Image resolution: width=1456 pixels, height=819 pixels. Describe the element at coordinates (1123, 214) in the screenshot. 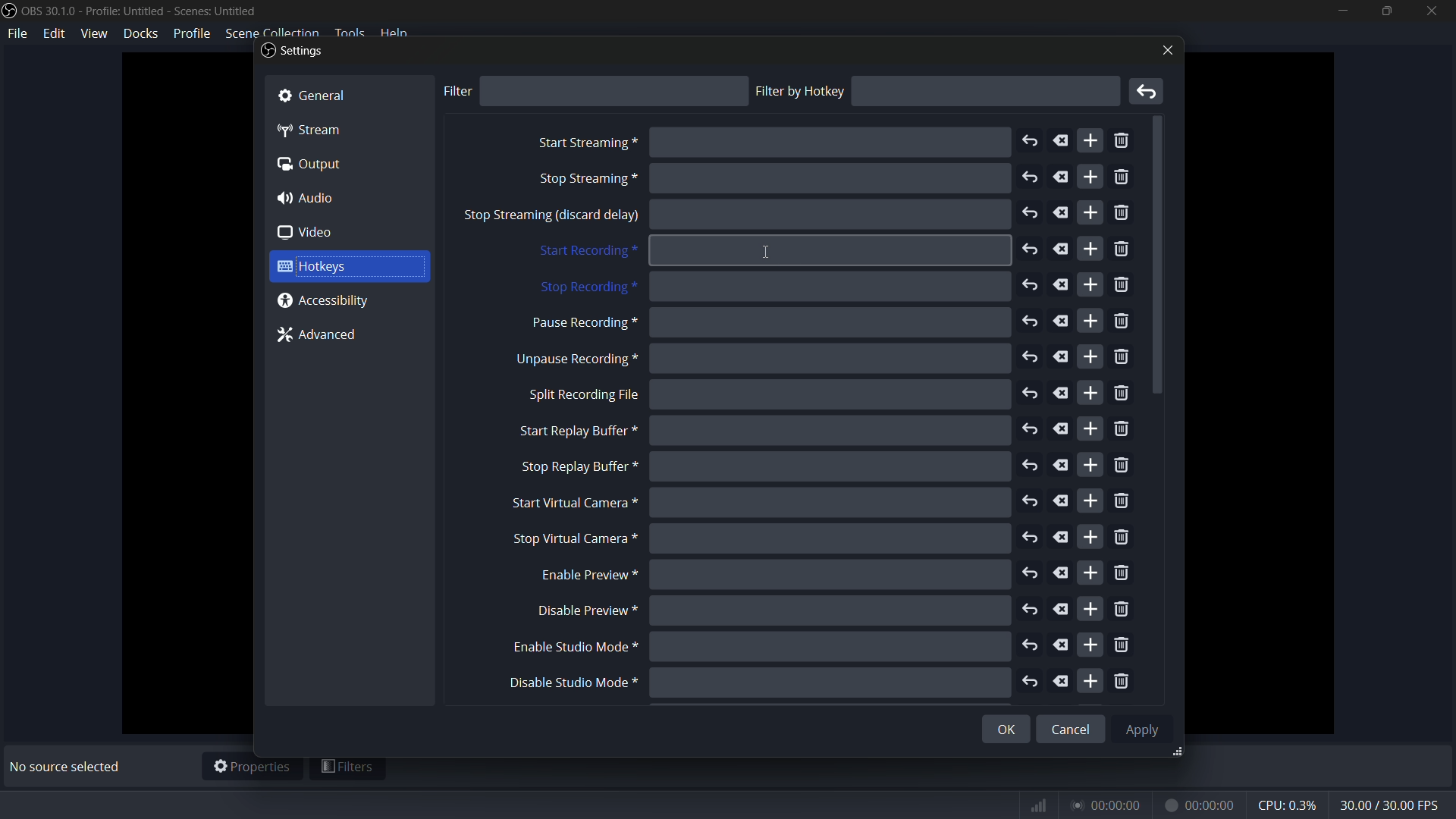

I see `remove` at that location.